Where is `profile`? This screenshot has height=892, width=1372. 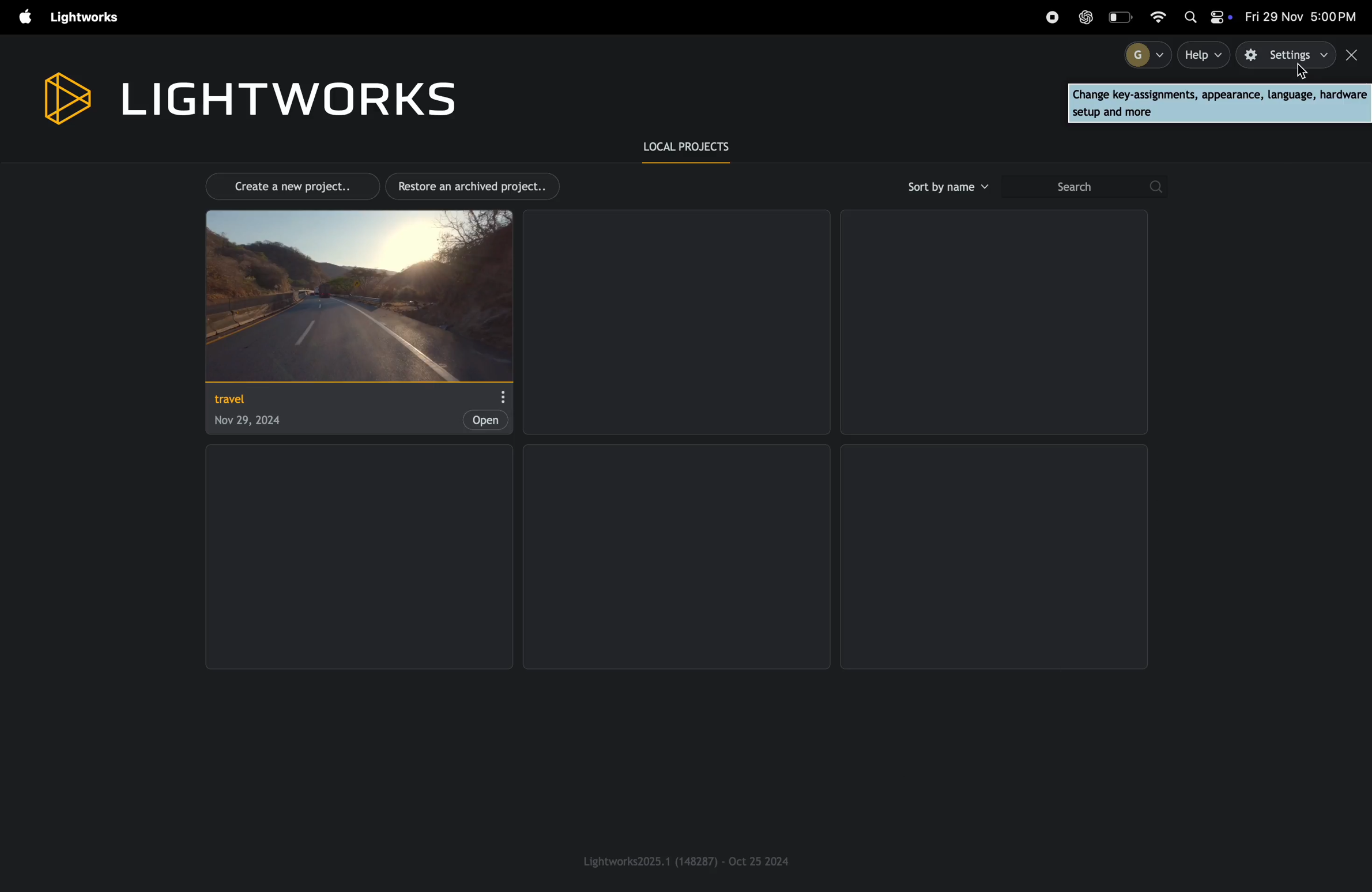
profile is located at coordinates (1143, 54).